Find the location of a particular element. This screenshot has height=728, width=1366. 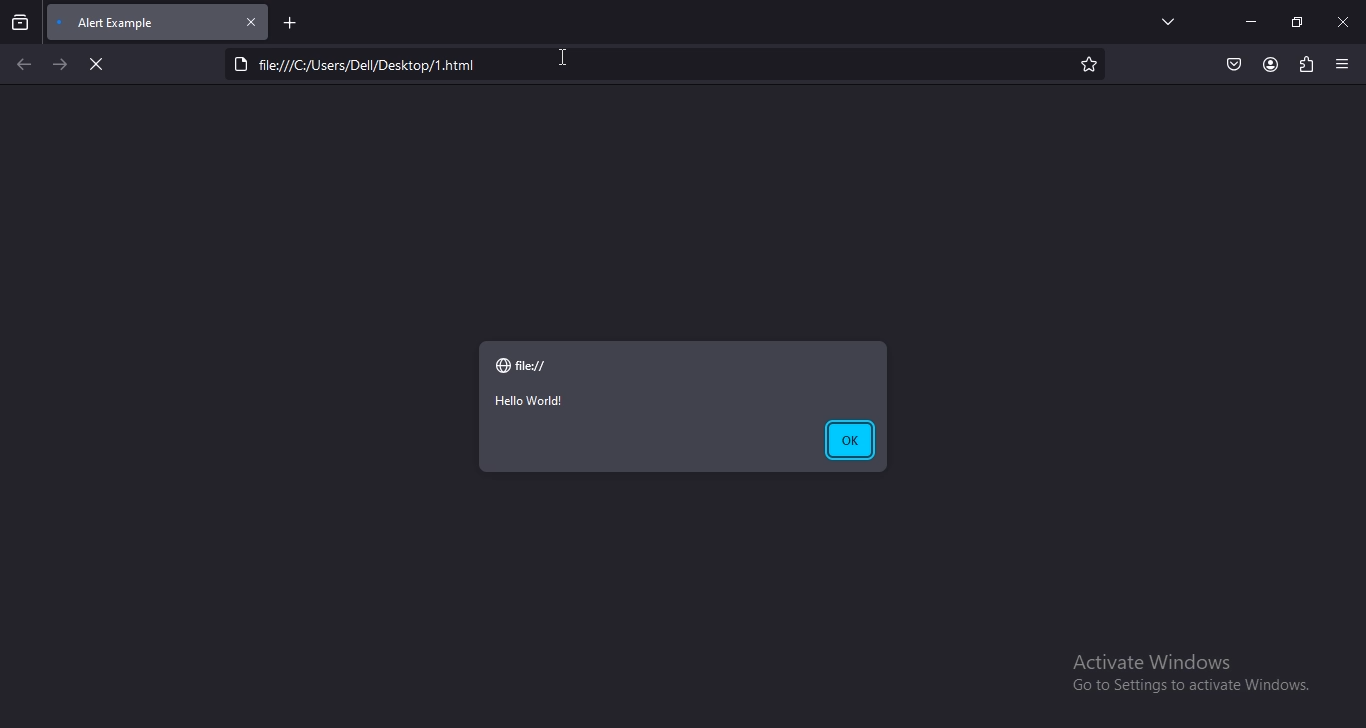

icon is located at coordinates (505, 365).